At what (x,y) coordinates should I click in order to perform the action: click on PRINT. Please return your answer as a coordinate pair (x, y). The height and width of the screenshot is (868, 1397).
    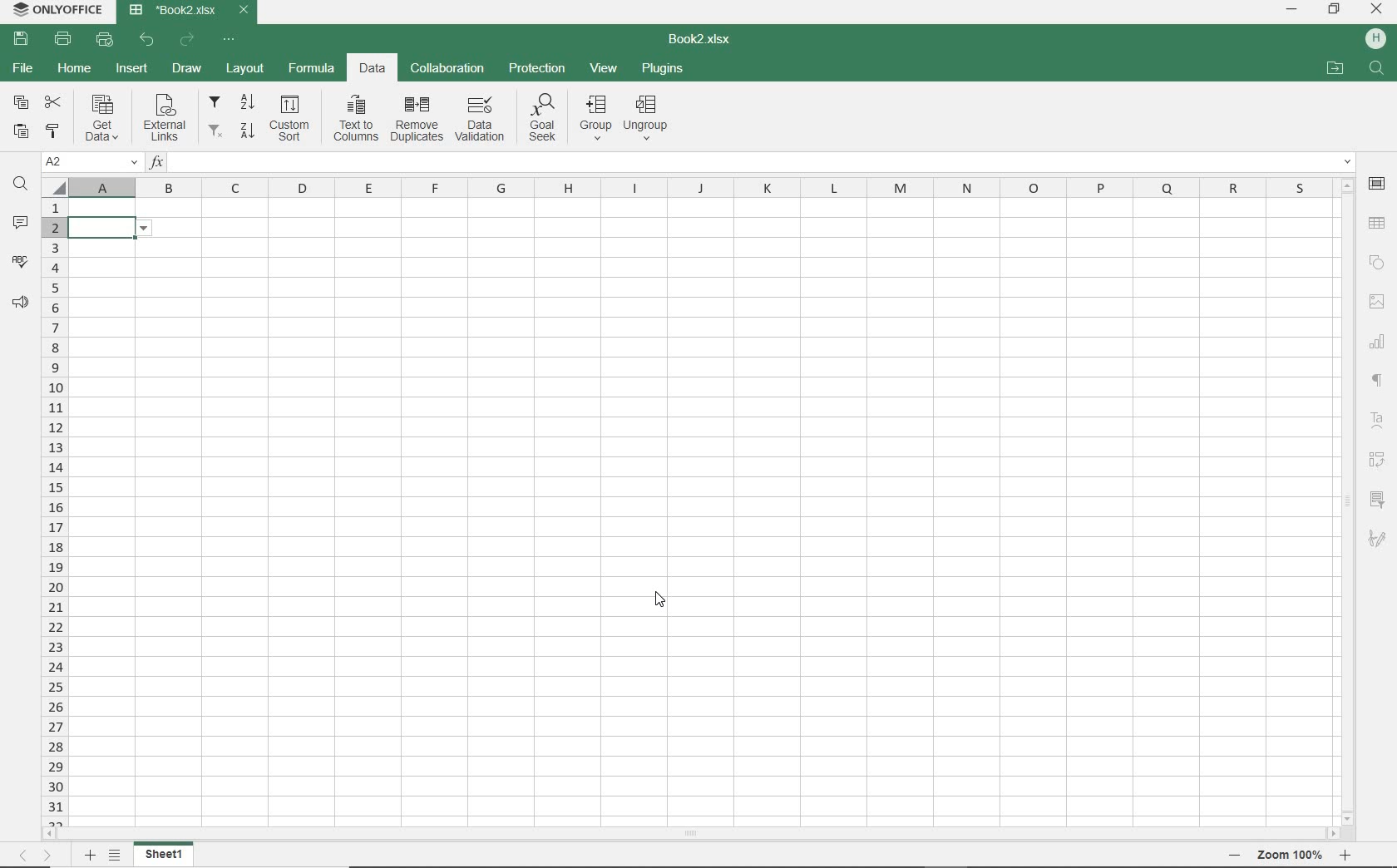
    Looking at the image, I should click on (63, 40).